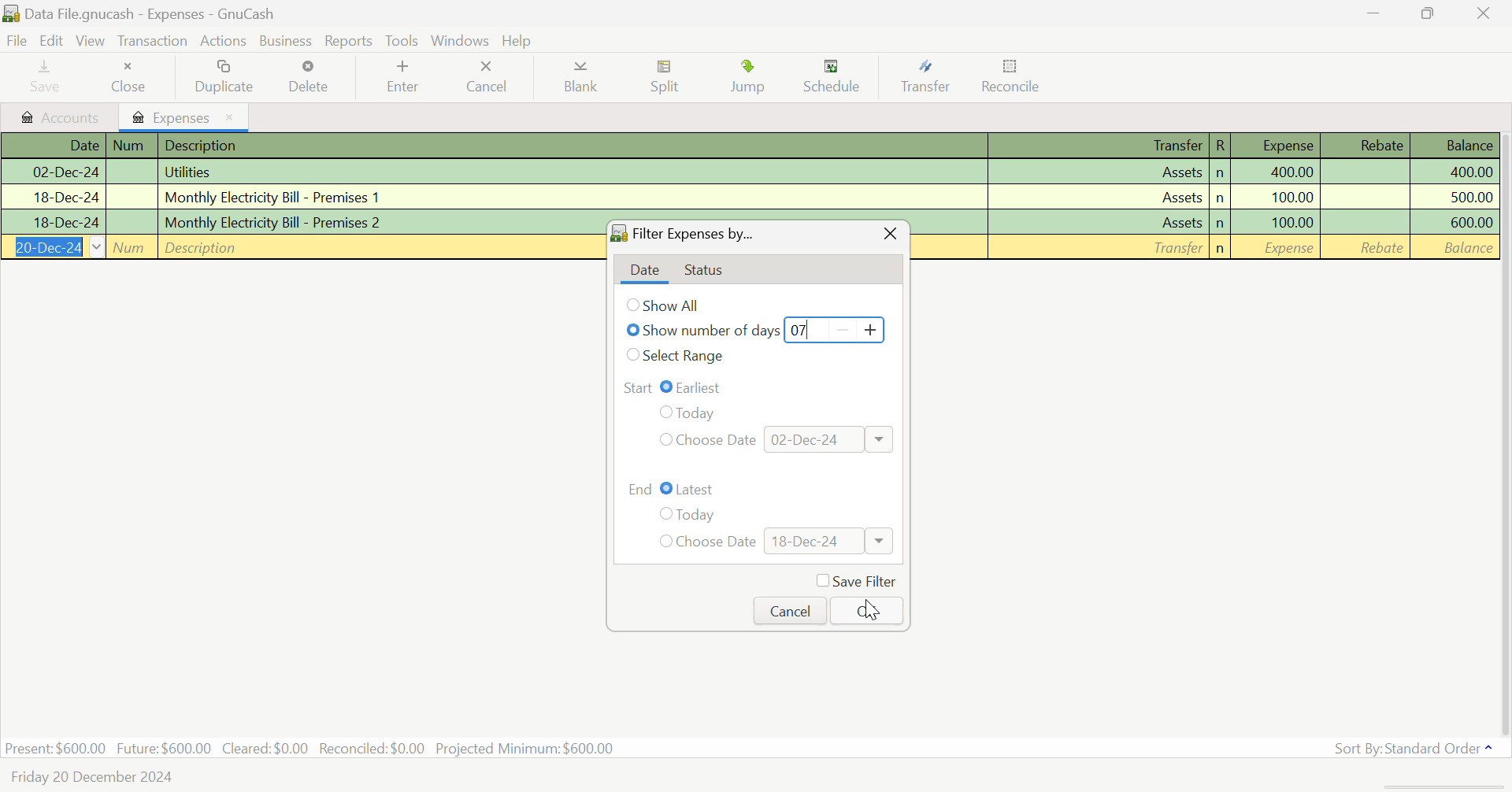 The width and height of the screenshot is (1512, 792). I want to click on Choose Date: 18-Dec-24, so click(776, 542).